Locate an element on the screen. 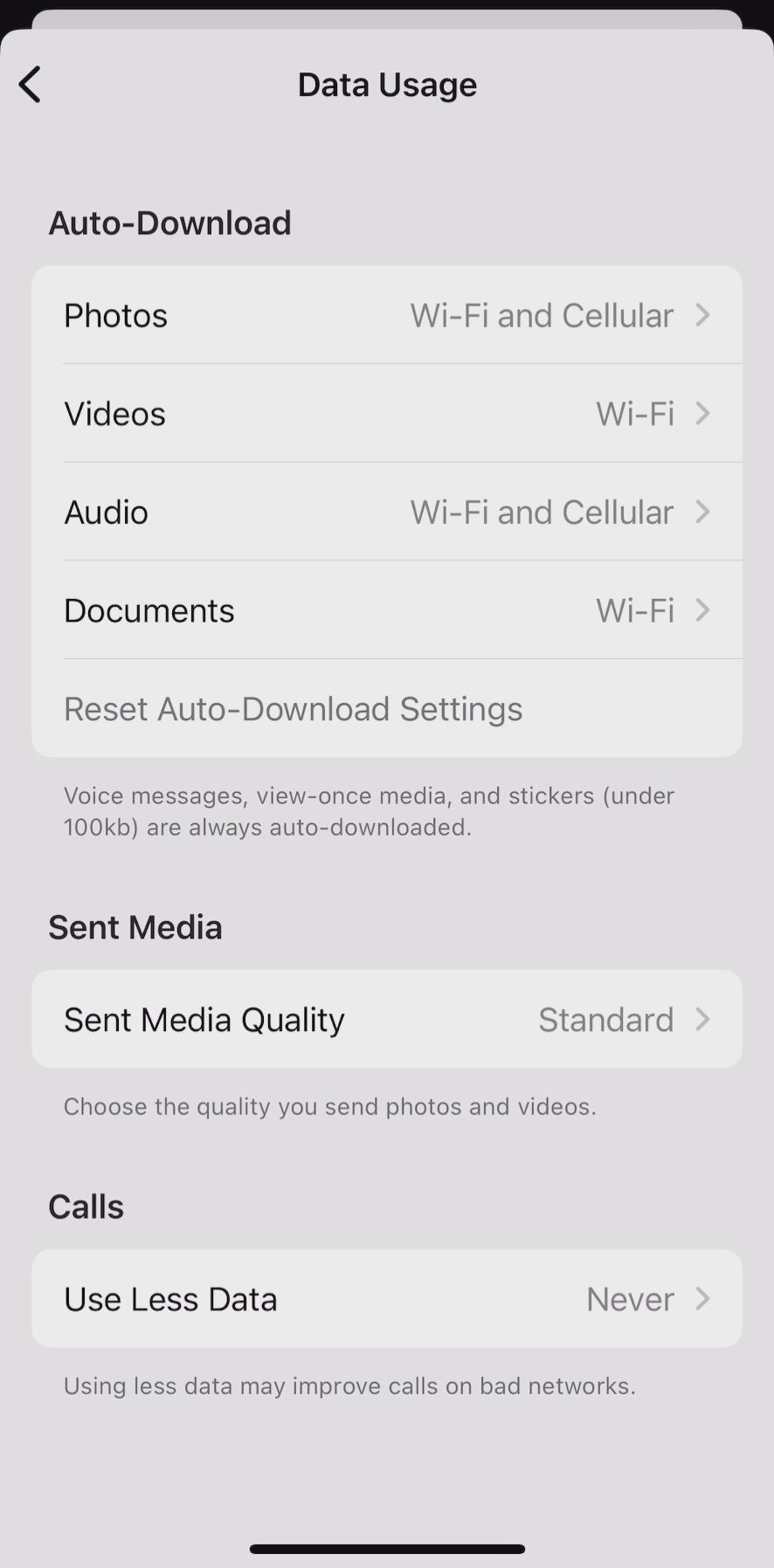  Videos Wi-Fi is located at coordinates (390, 418).